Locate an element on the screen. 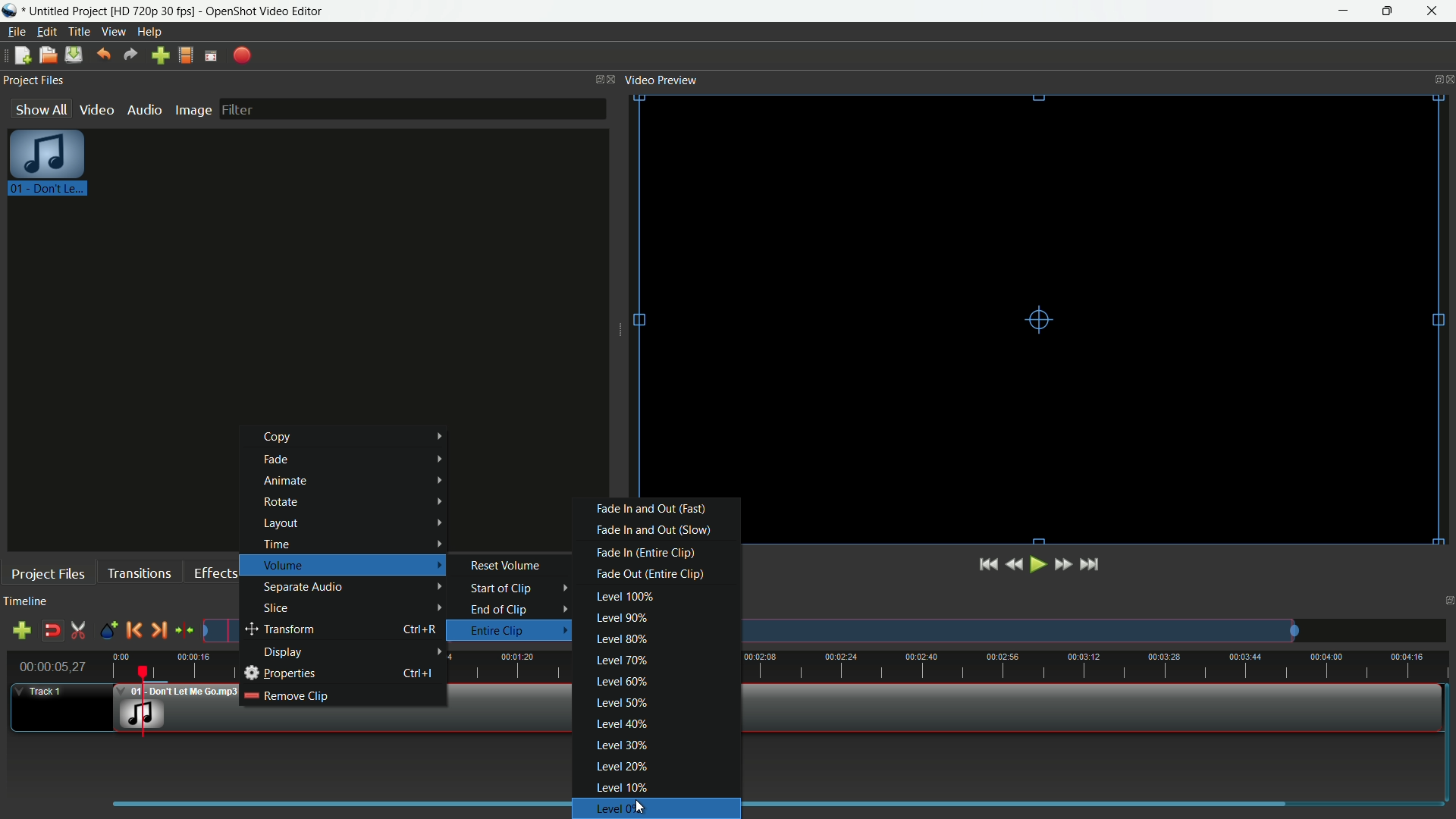  play or pause; is located at coordinates (1040, 565).